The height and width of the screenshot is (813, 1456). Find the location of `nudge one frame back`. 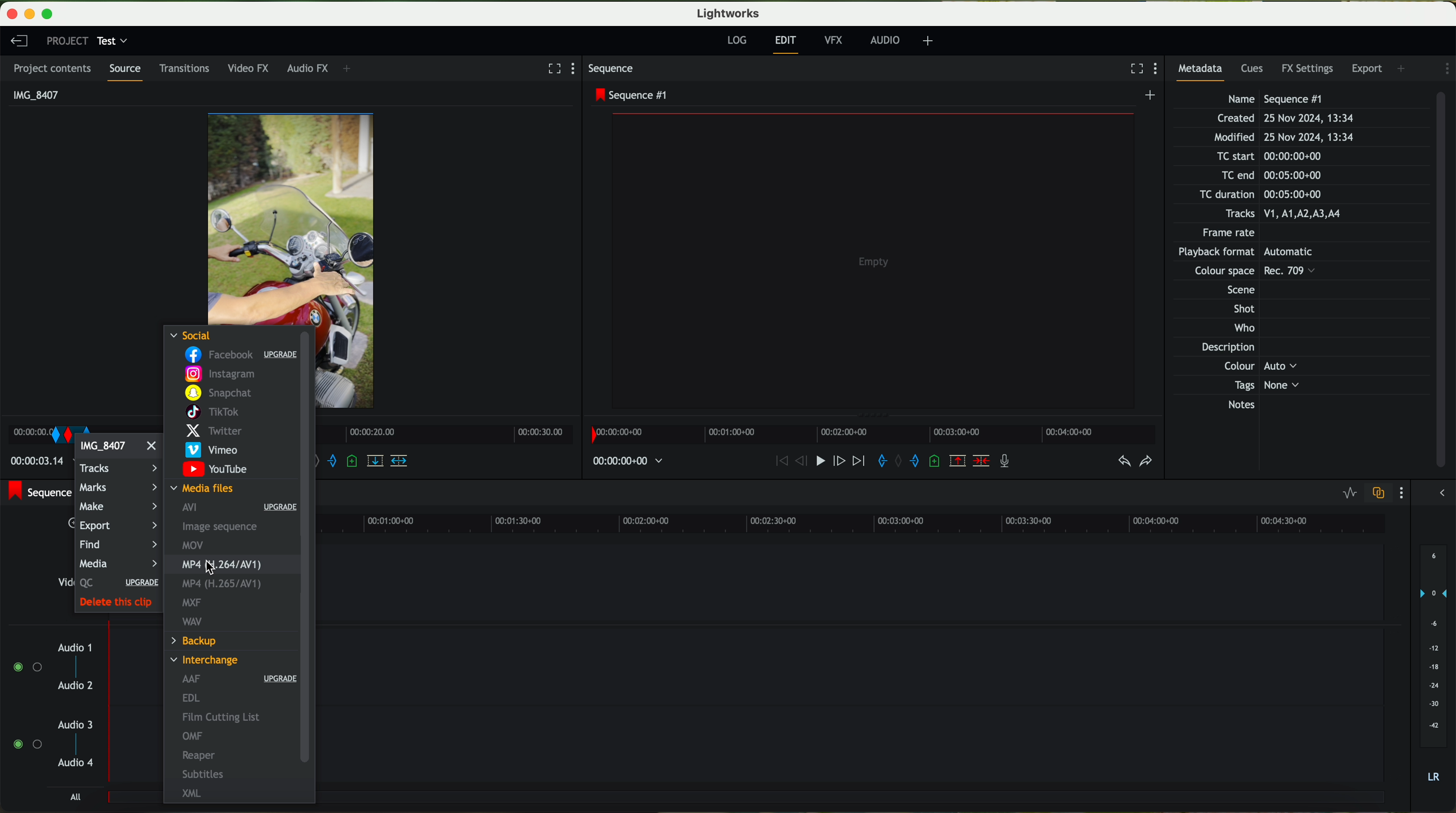

nudge one frame back is located at coordinates (794, 464).